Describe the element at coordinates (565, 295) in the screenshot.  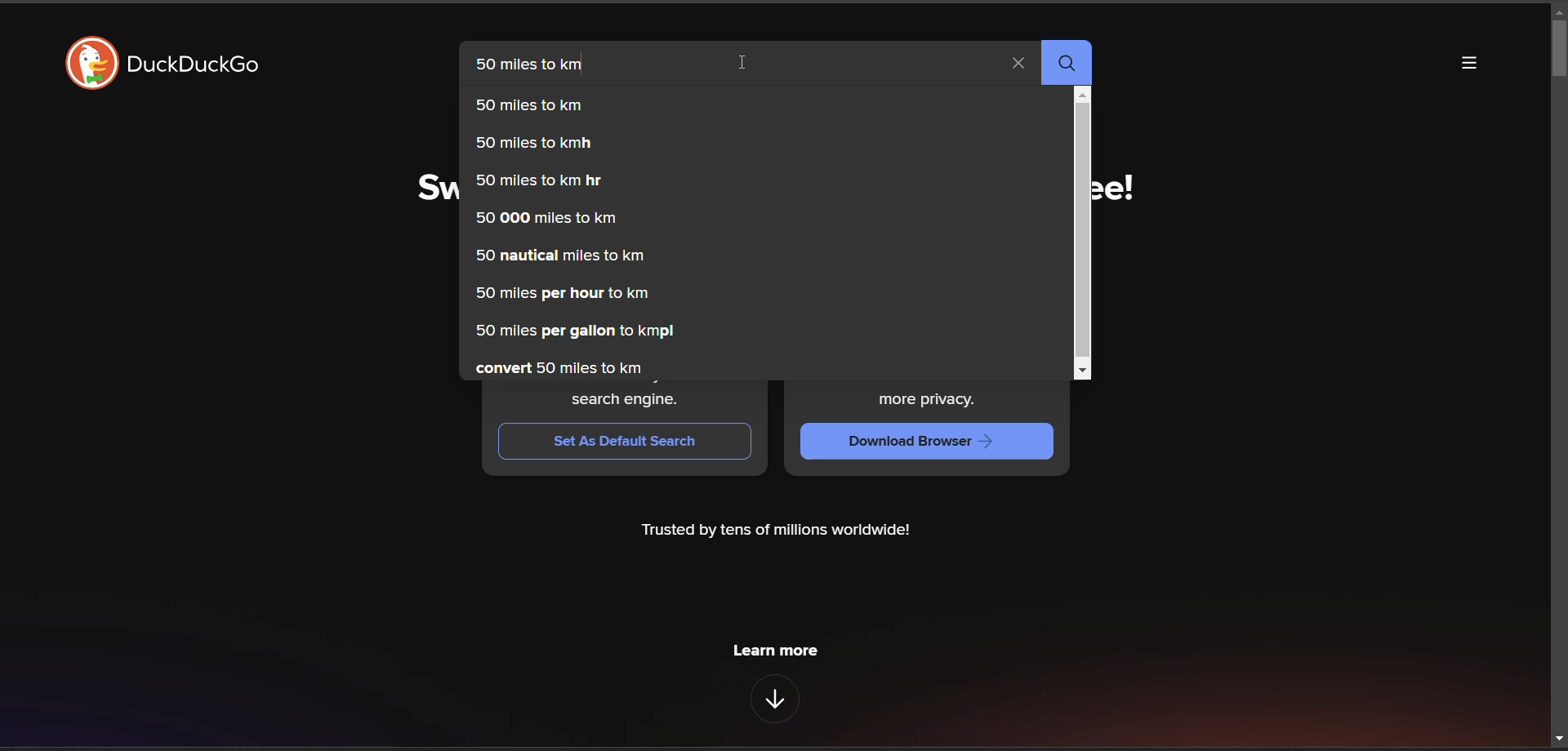
I see `50 miles per hour to km` at that location.